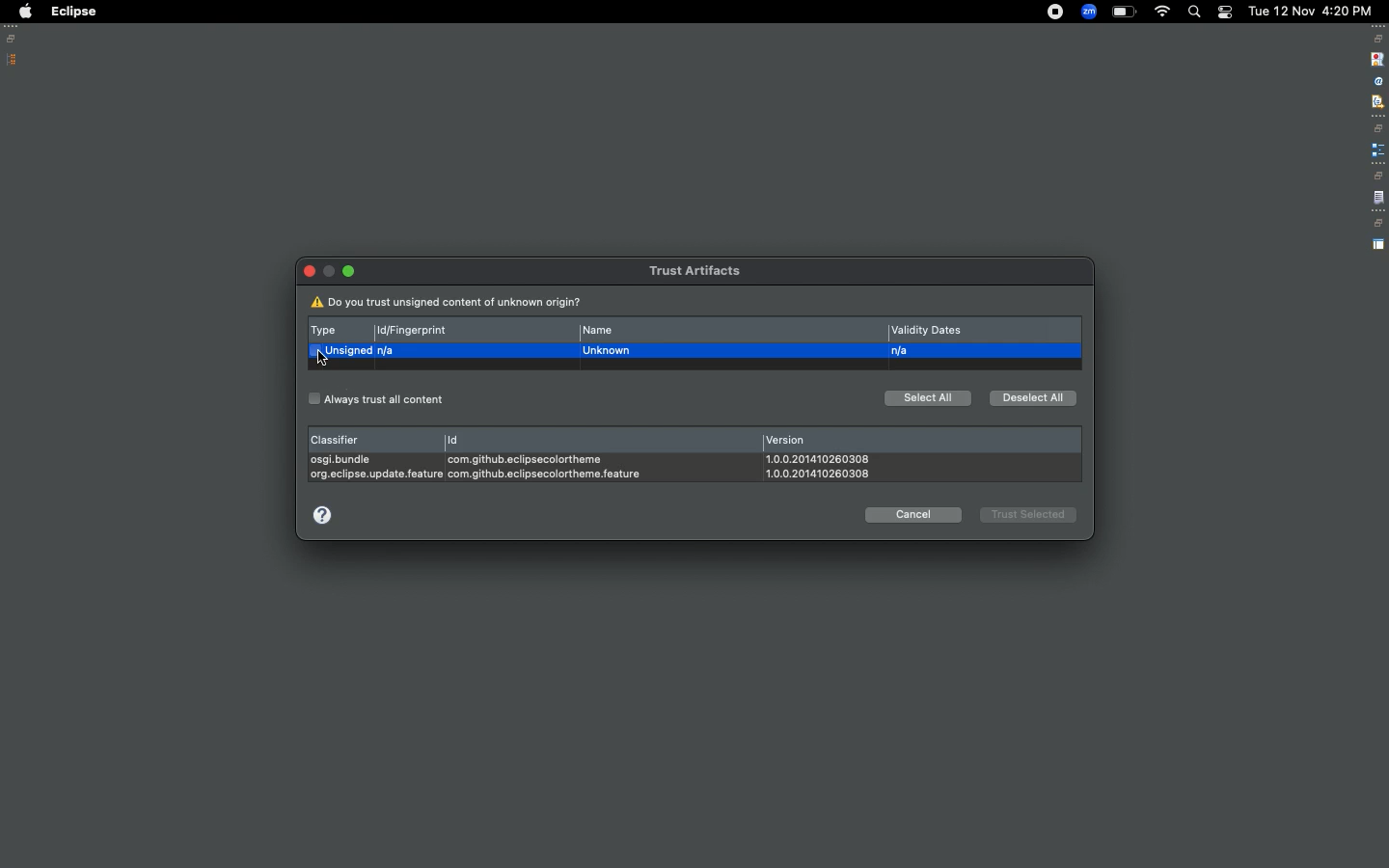 Image resolution: width=1389 pixels, height=868 pixels. What do you see at coordinates (1162, 14) in the screenshot?
I see `Internet` at bounding box center [1162, 14].